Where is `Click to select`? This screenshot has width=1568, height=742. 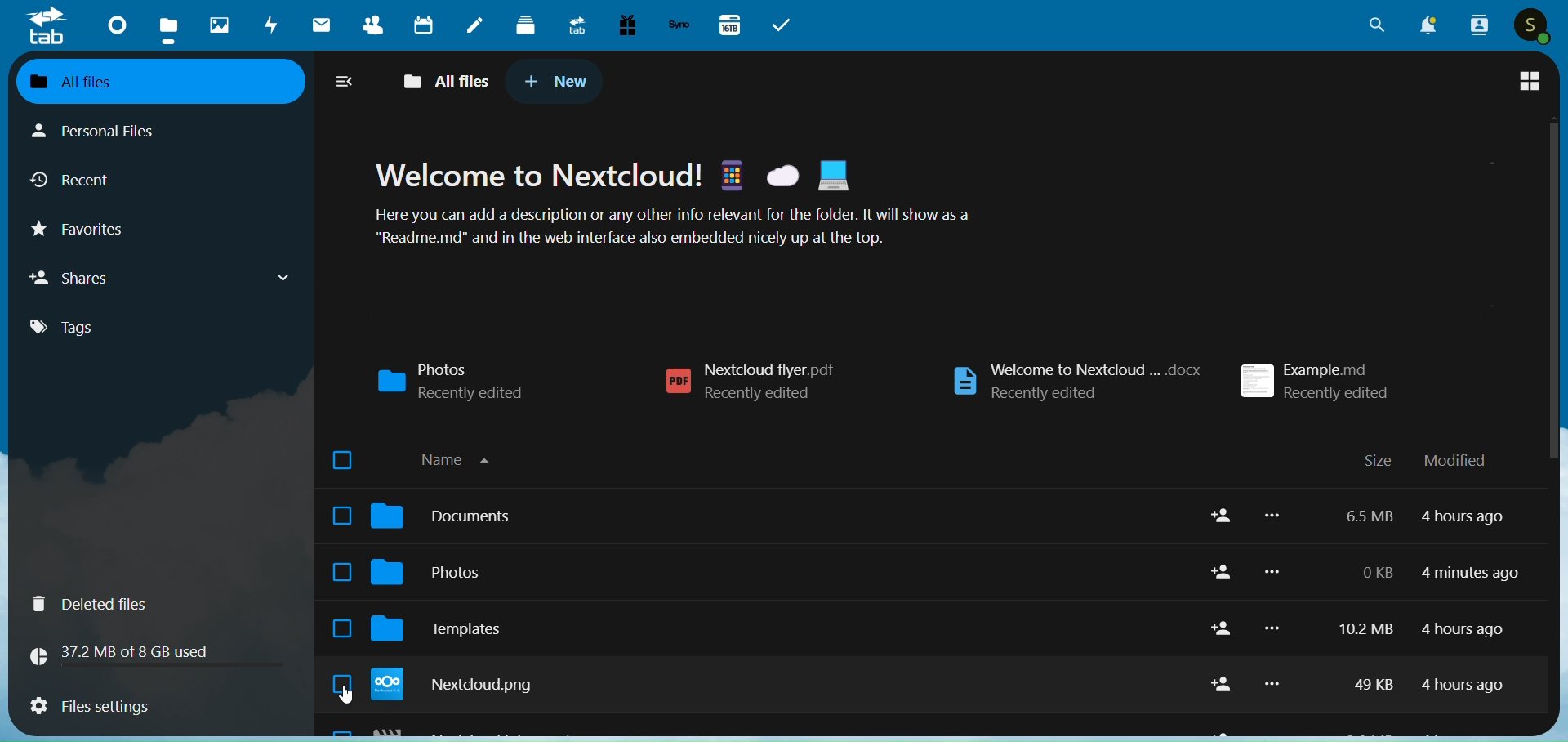 Click to select is located at coordinates (341, 683).